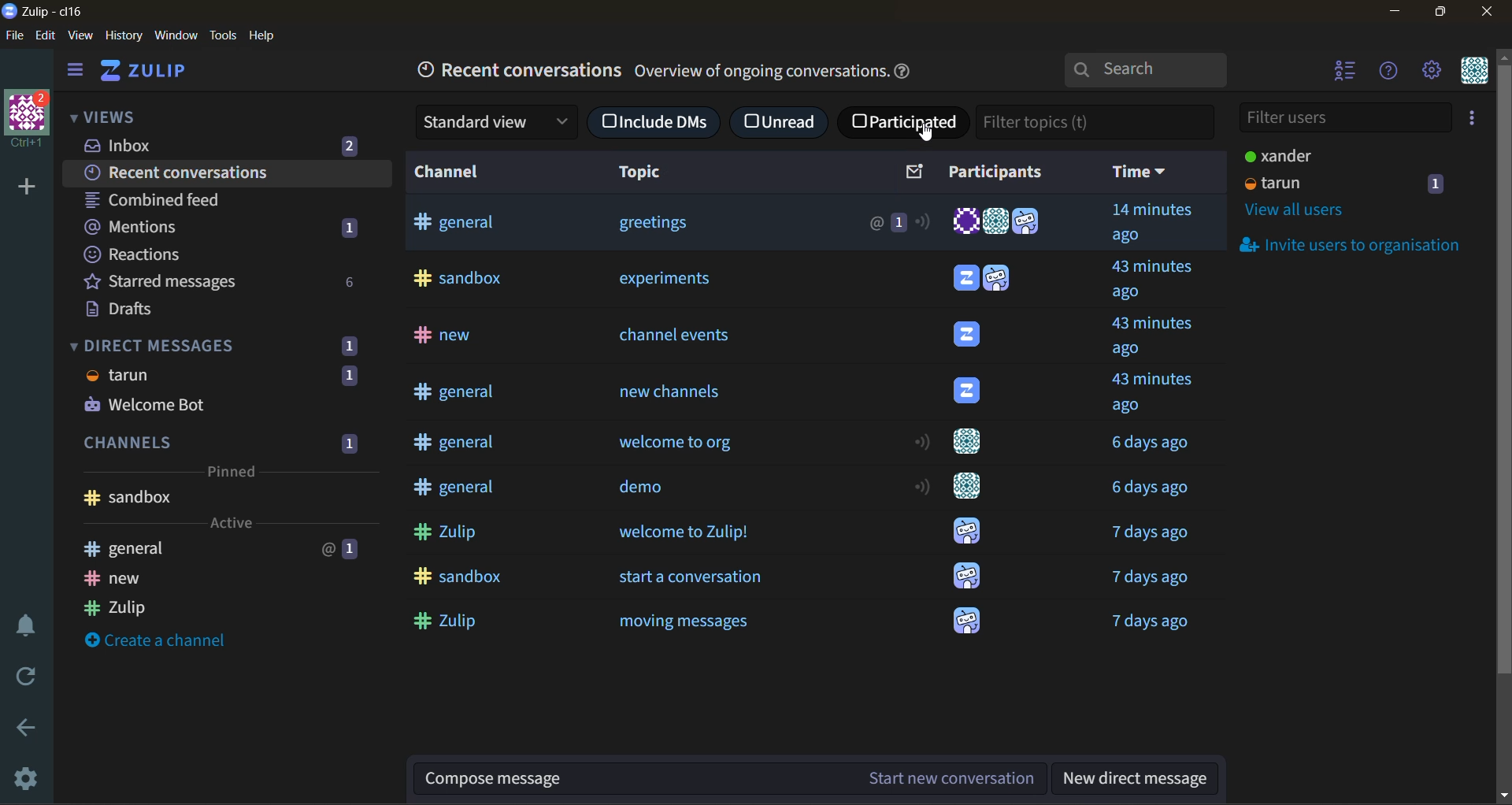 The image size is (1512, 805). Describe the element at coordinates (921, 221) in the screenshot. I see `active status` at that location.